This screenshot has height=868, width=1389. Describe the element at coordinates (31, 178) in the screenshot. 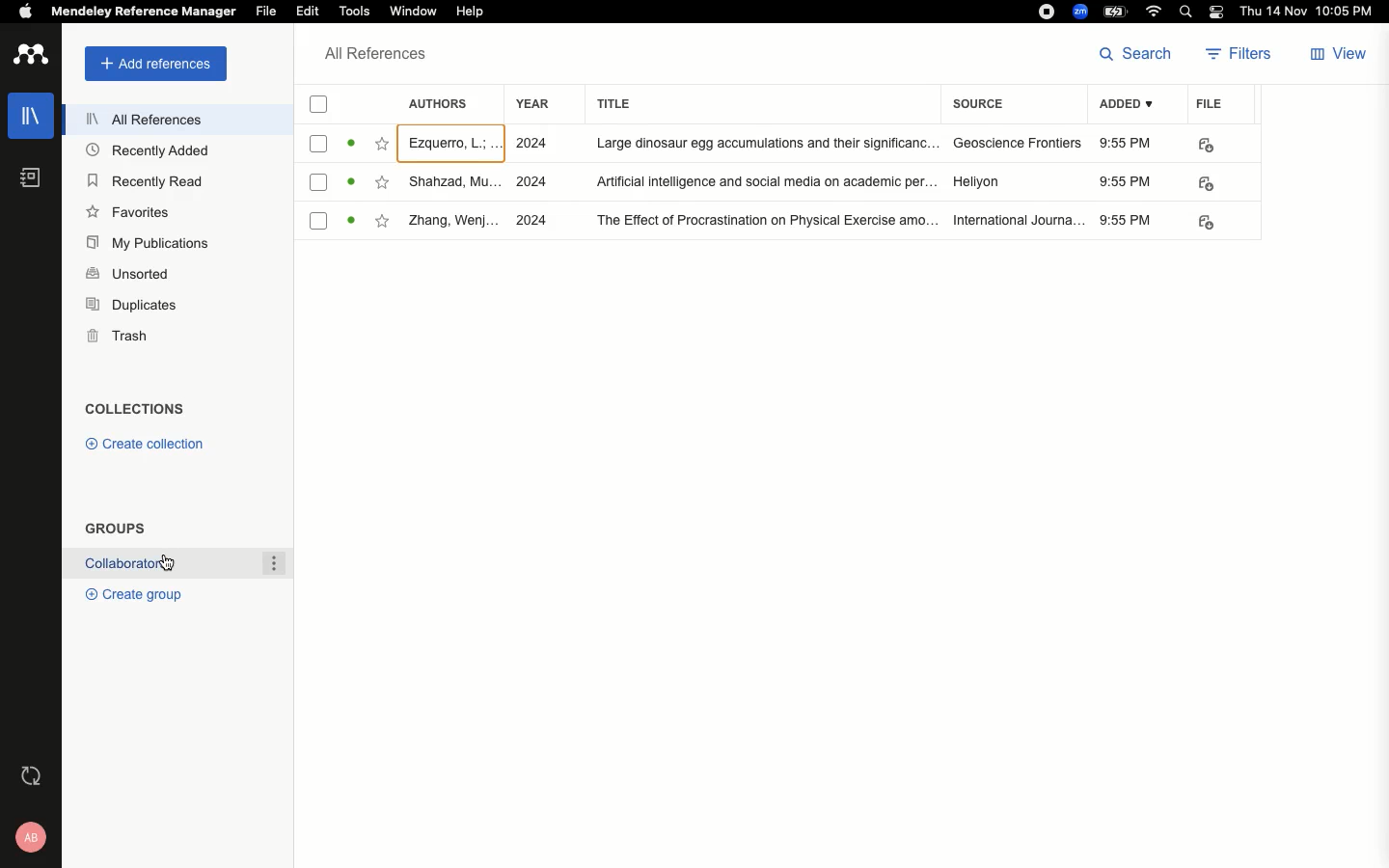

I see `Notebook` at that location.